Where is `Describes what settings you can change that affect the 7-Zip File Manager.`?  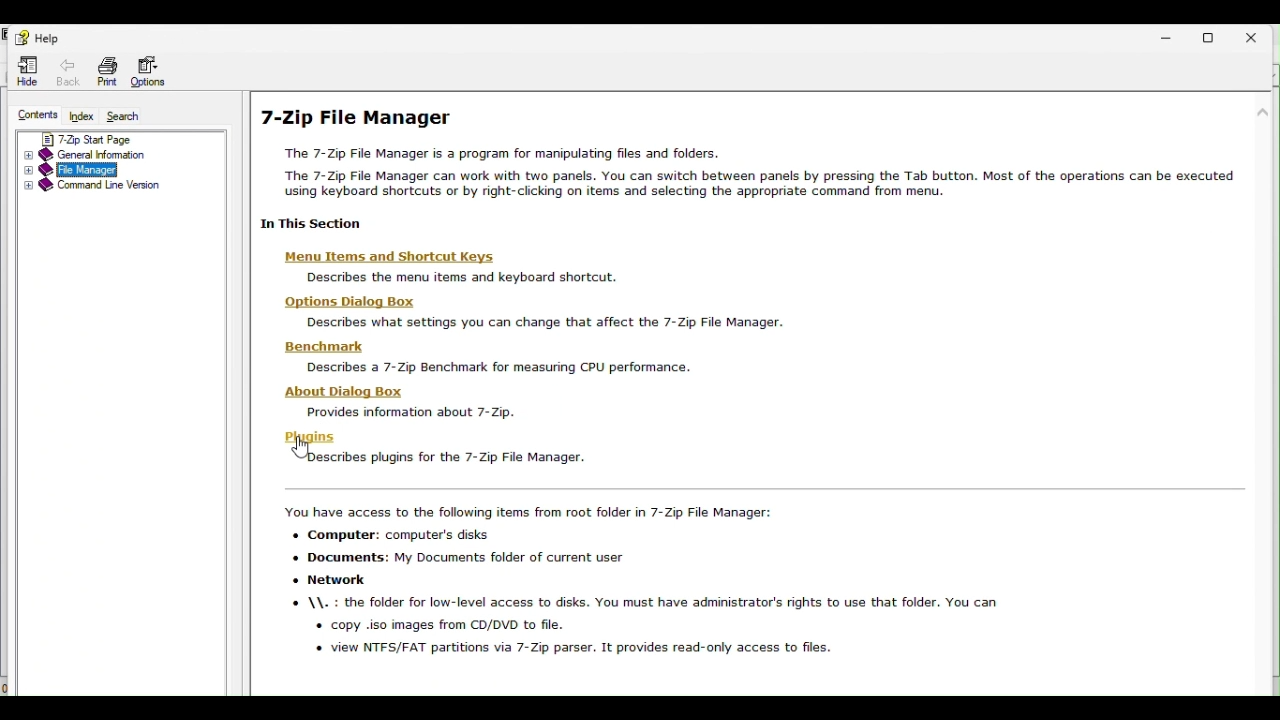
Describes what settings you can change that affect the 7-Zip File Manager. is located at coordinates (542, 322).